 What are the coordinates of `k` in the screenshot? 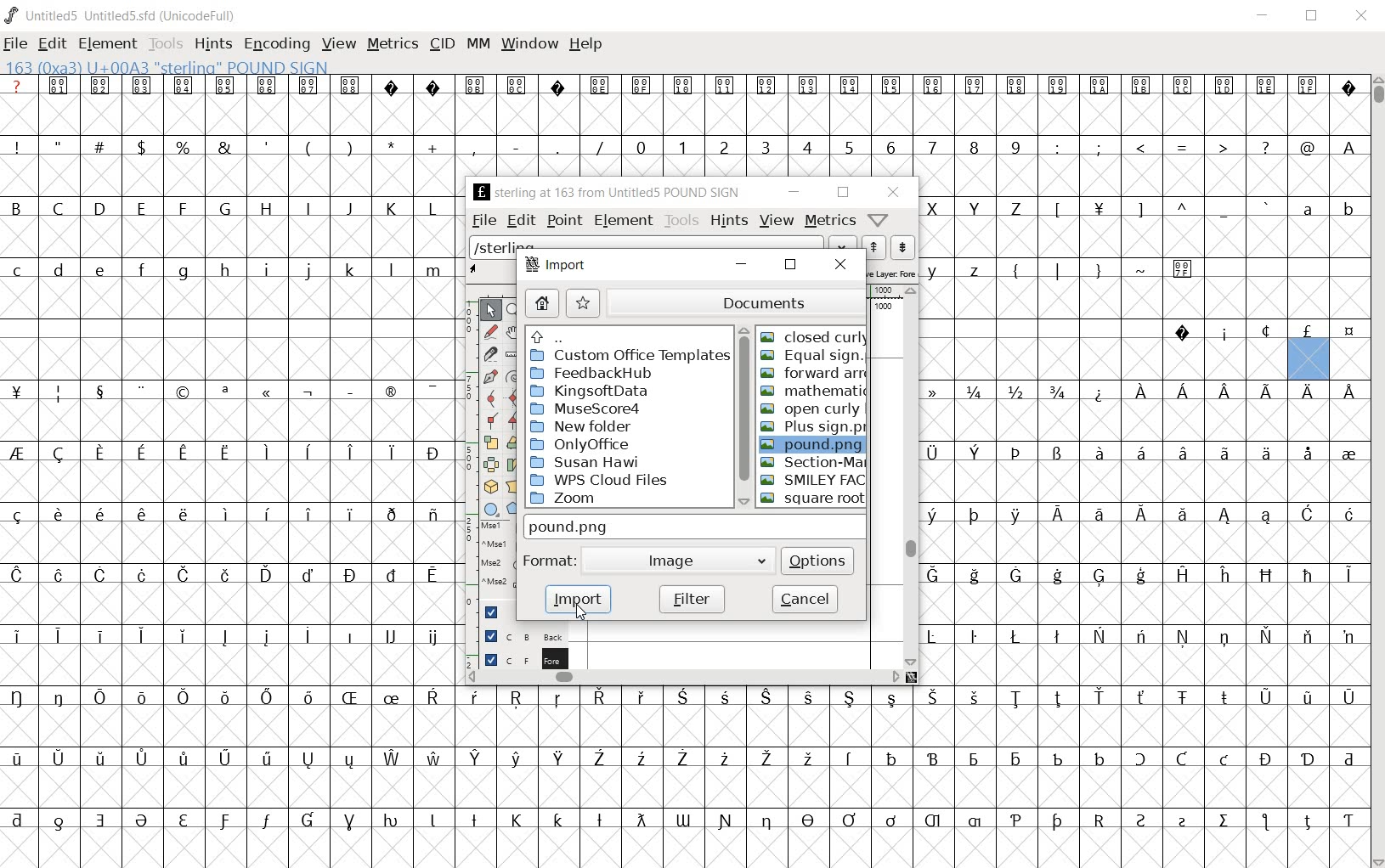 It's located at (349, 269).